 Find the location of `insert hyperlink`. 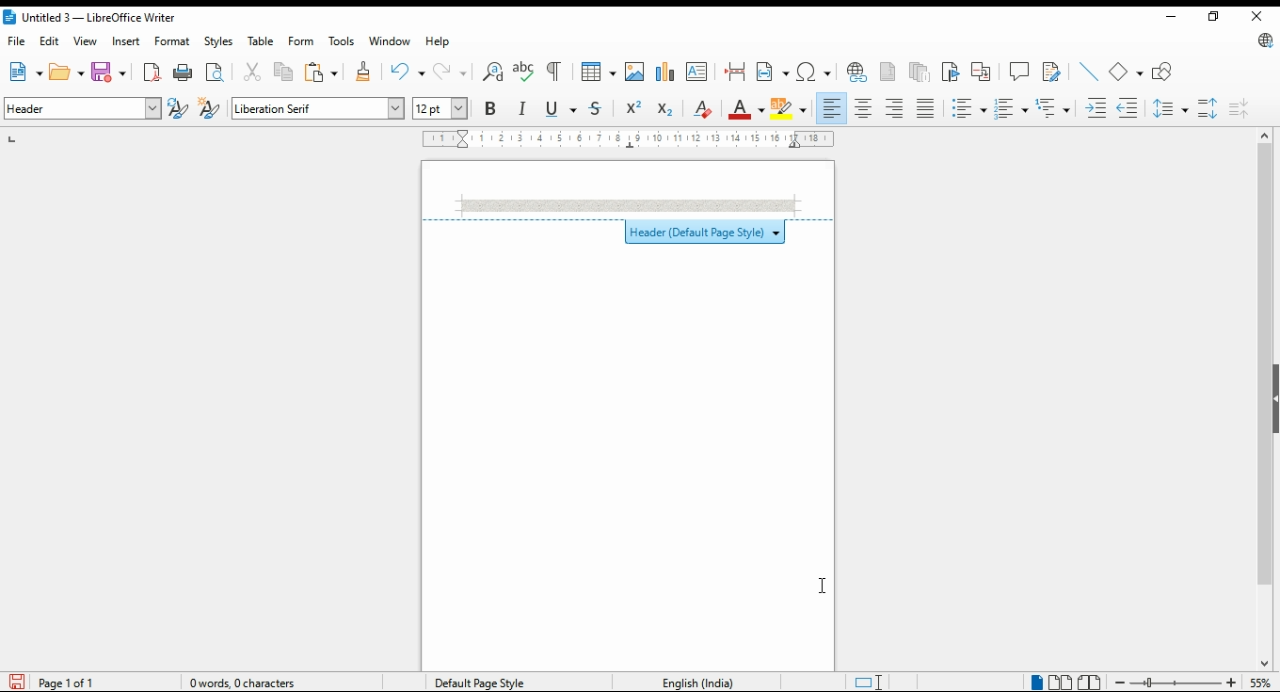

insert hyperlink is located at coordinates (858, 72).